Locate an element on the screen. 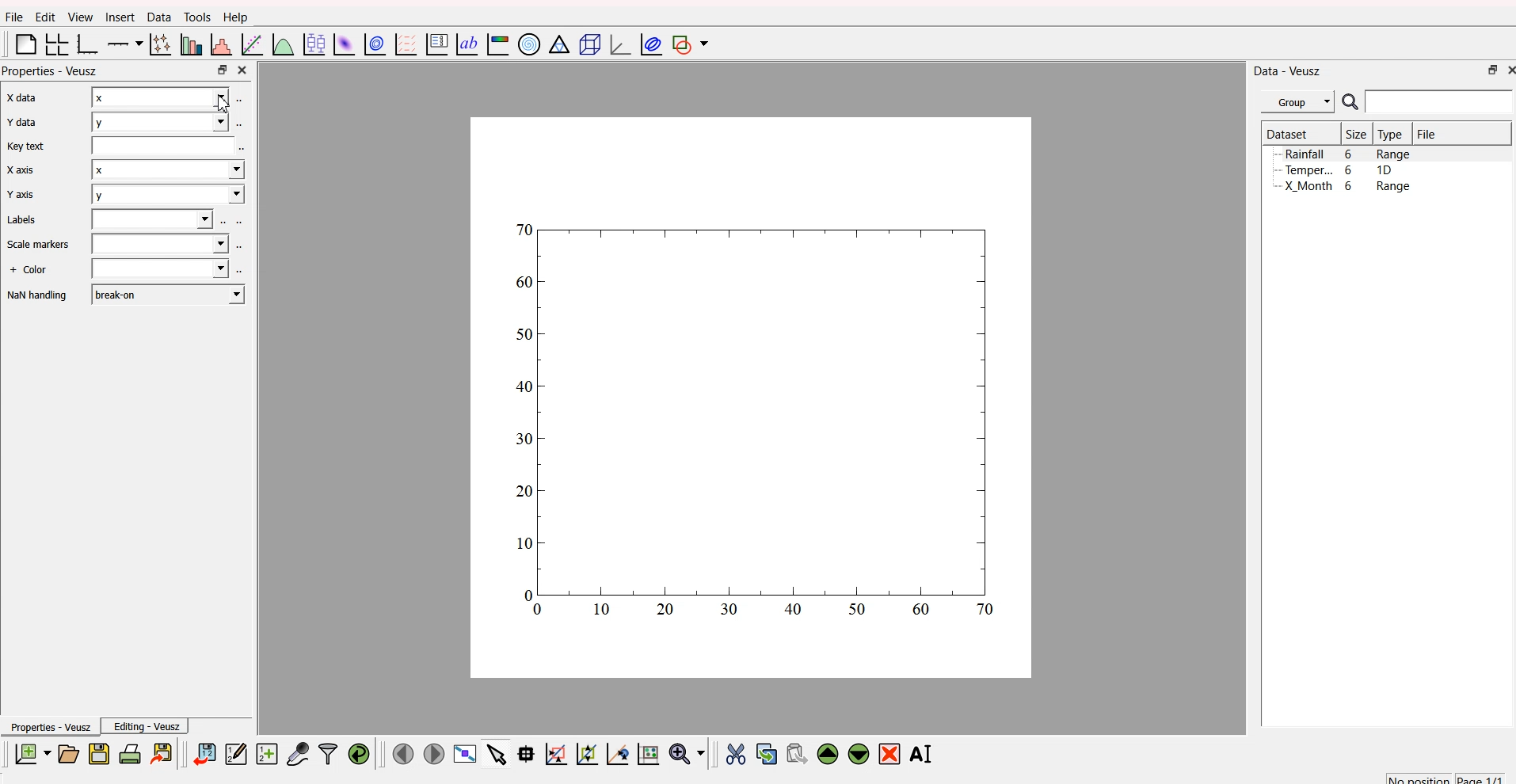 The height and width of the screenshot is (784, 1516). text label is located at coordinates (465, 45).